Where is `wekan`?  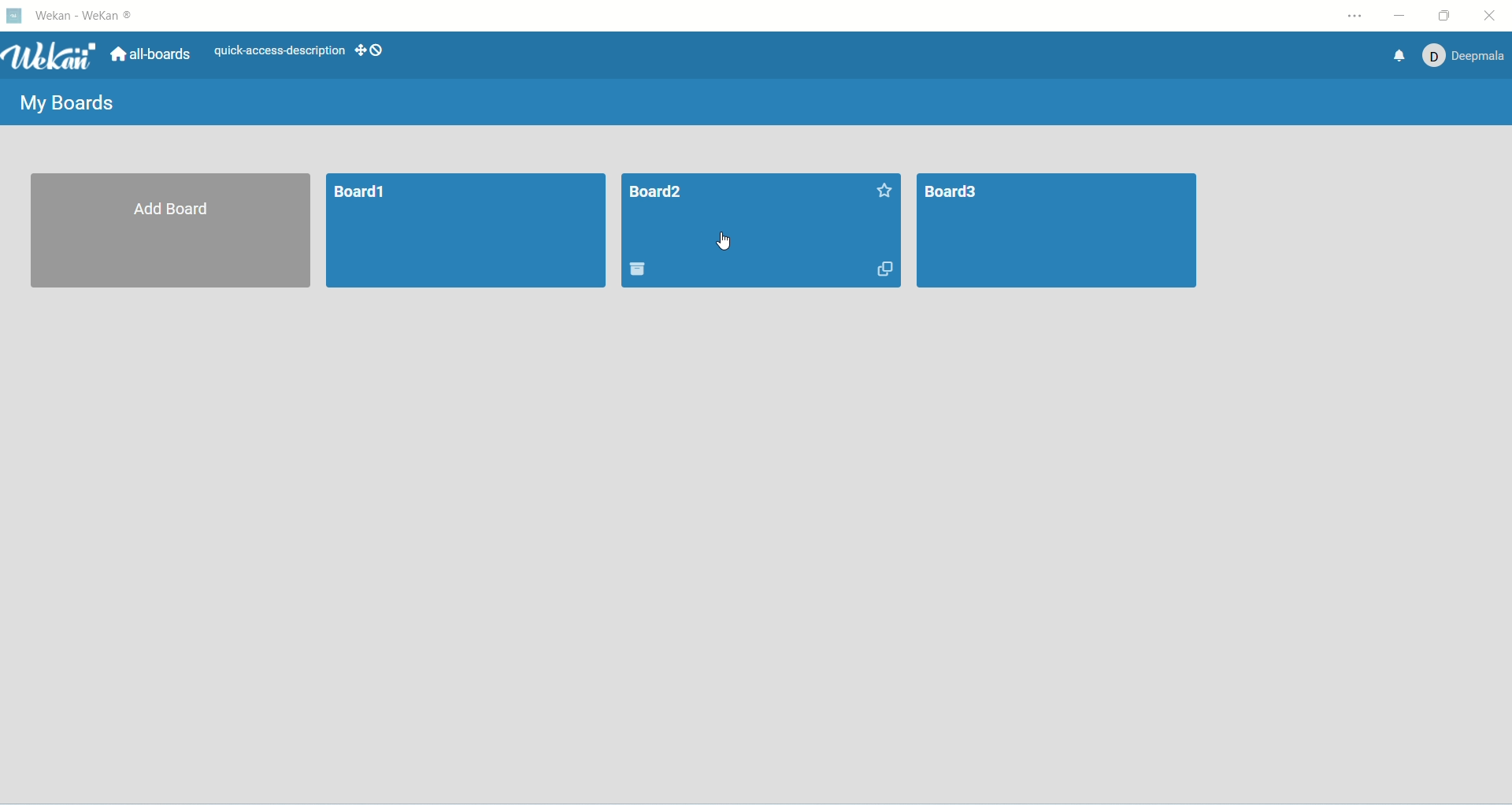 wekan is located at coordinates (50, 55).